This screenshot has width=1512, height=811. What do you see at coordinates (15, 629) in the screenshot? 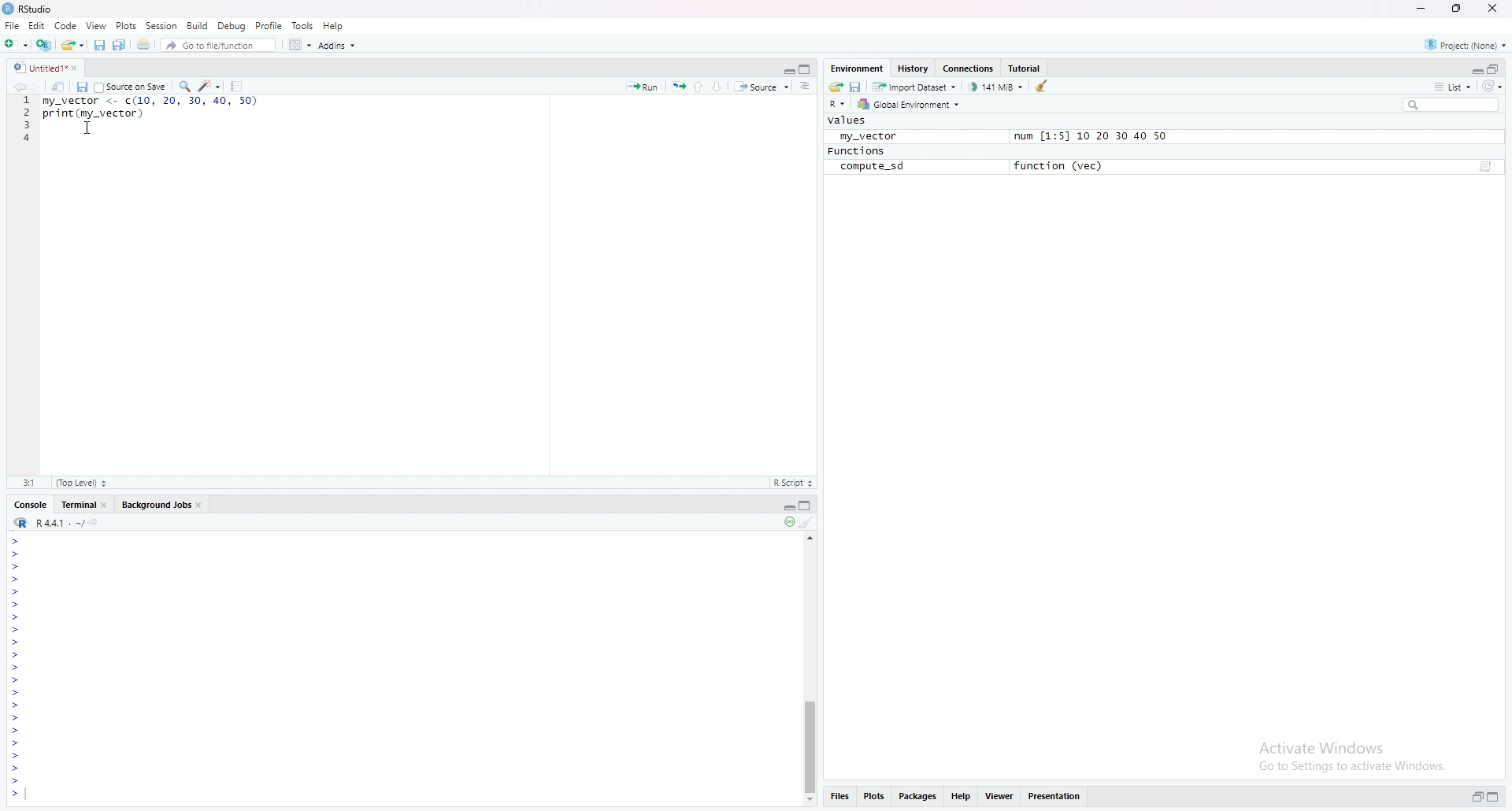
I see `prompt cursor` at bounding box center [15, 629].